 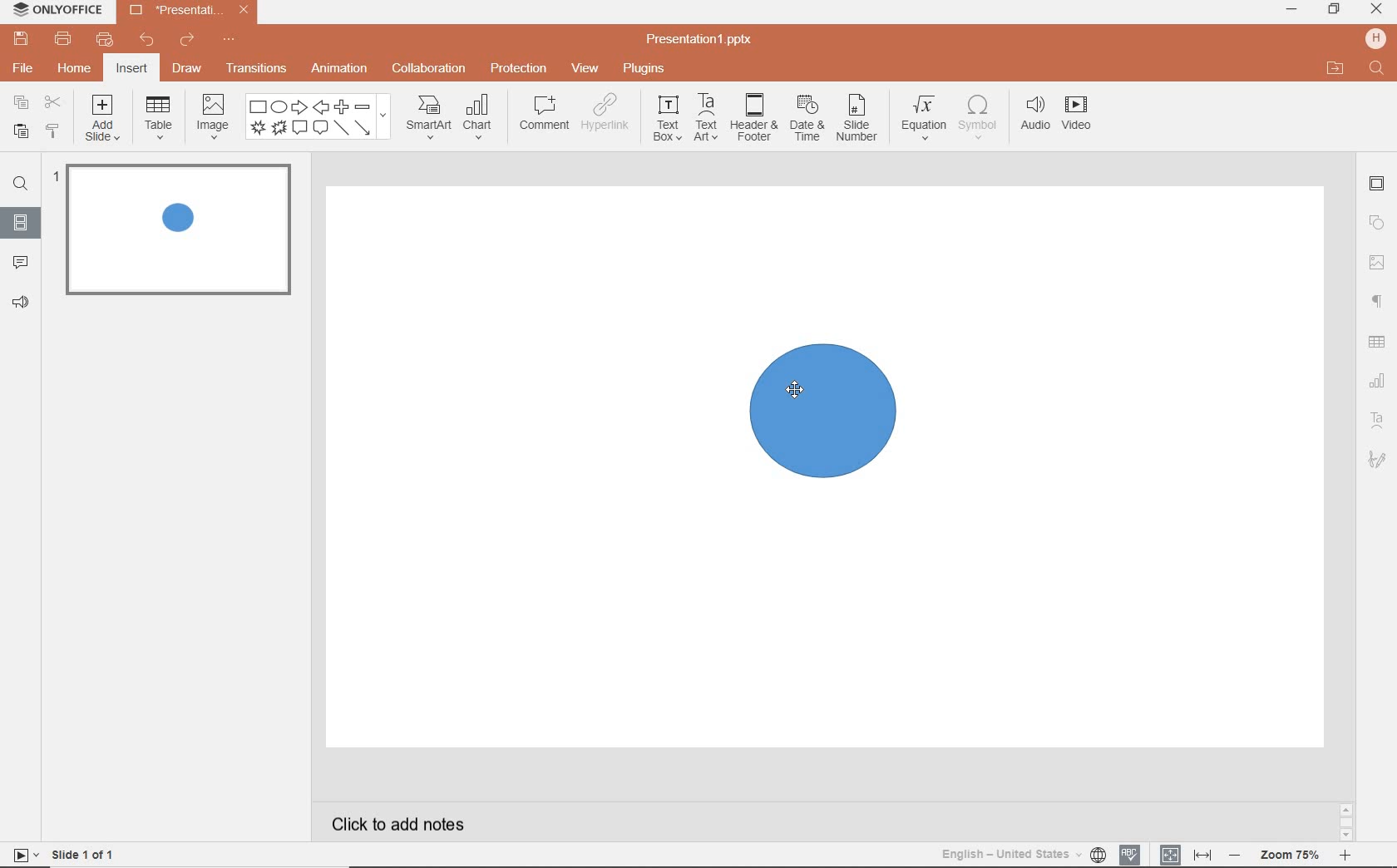 What do you see at coordinates (1013, 856) in the screenshot?
I see `text language` at bounding box center [1013, 856].